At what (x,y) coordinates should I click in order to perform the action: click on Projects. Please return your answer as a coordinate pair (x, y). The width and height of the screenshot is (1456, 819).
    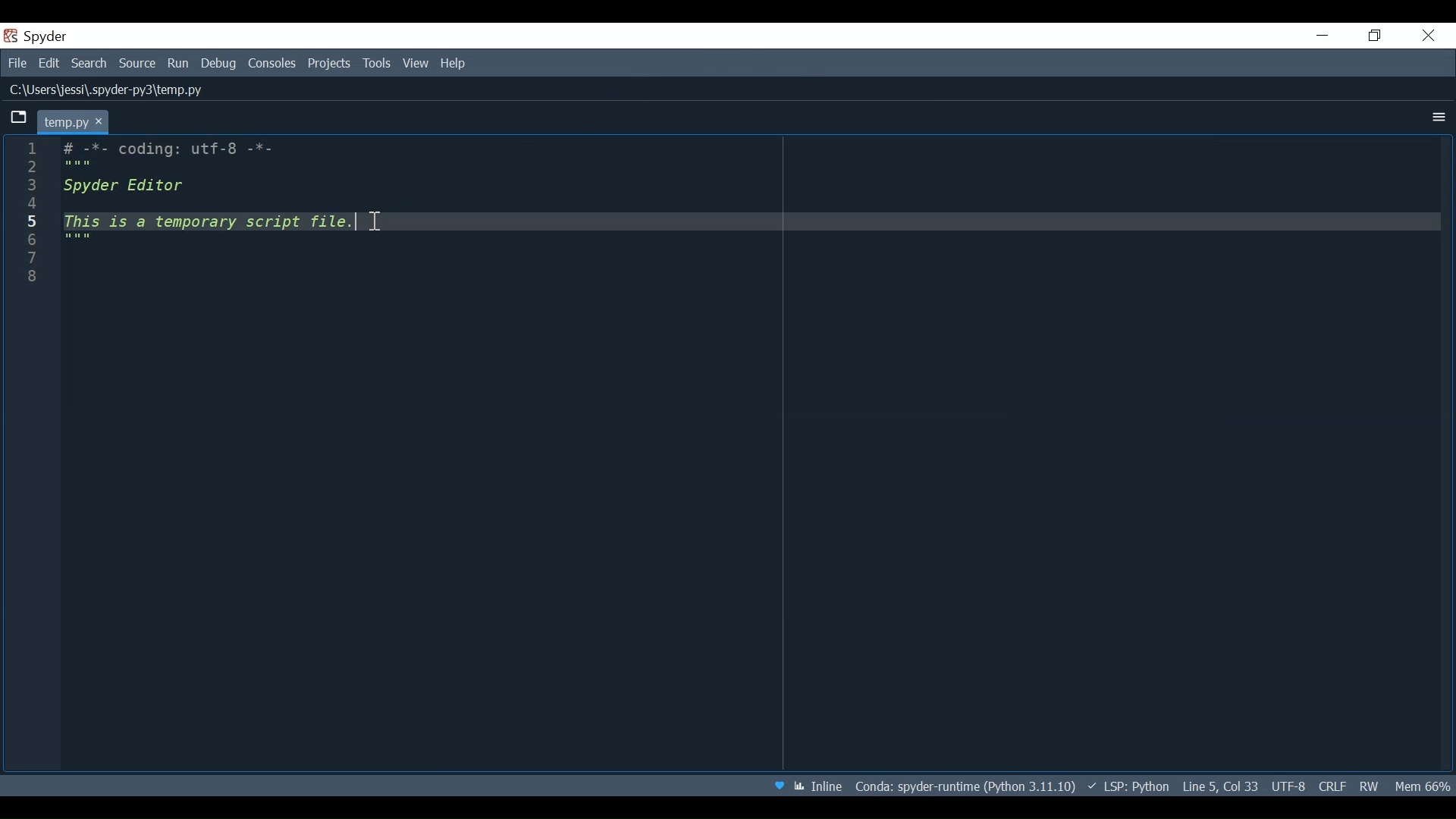
    Looking at the image, I should click on (329, 64).